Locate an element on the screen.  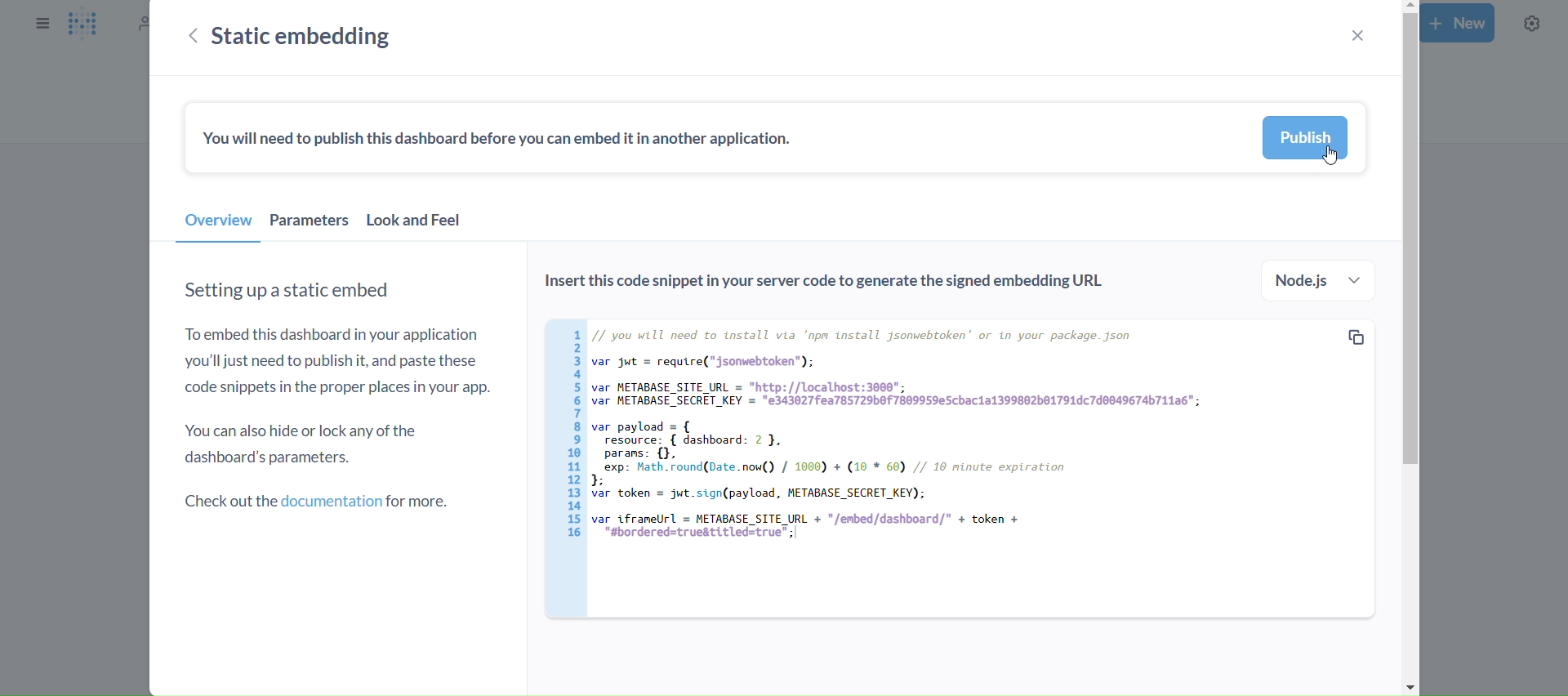
parameters is located at coordinates (310, 224).